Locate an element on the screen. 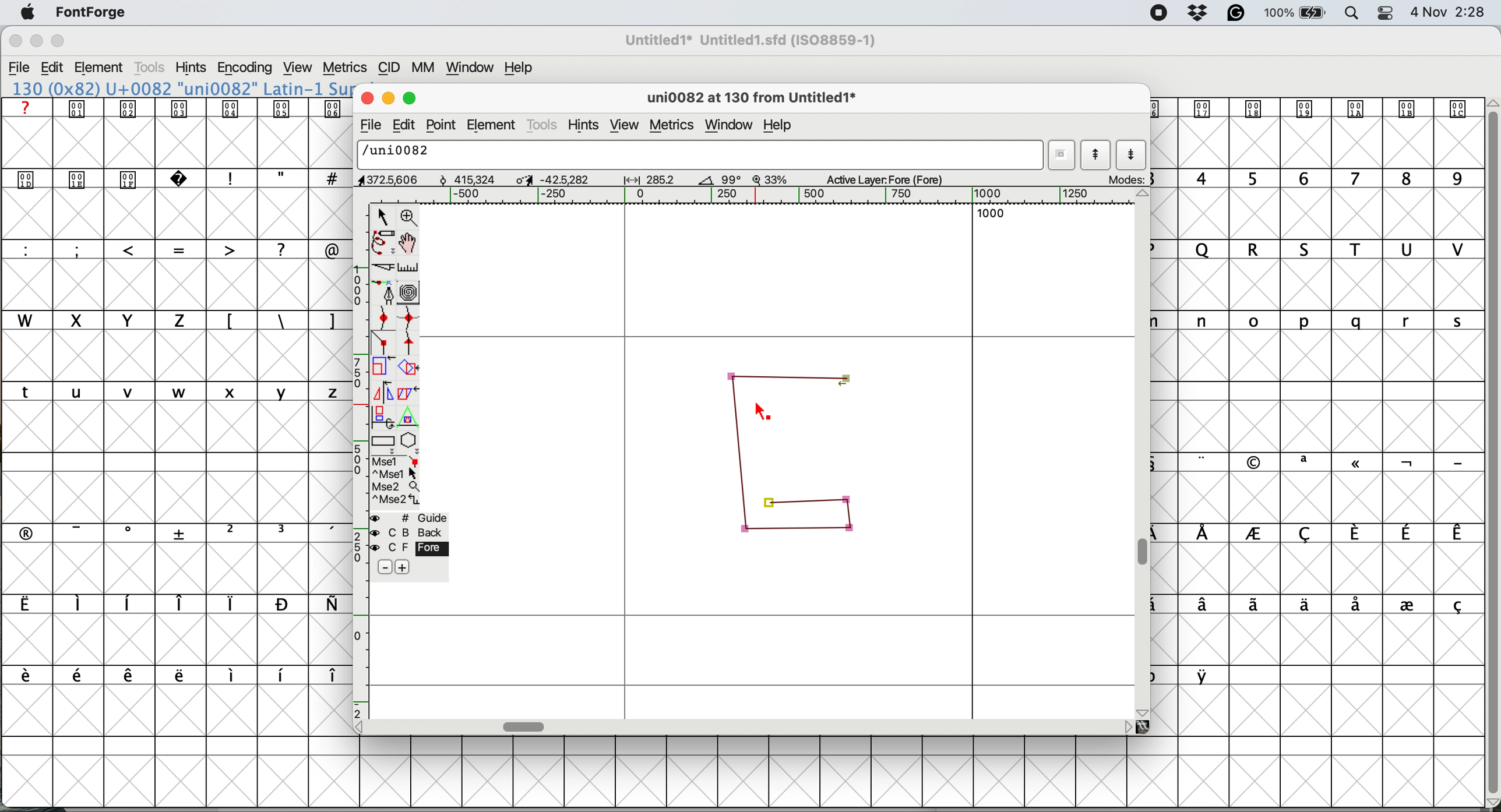  symbols is located at coordinates (1325, 606).